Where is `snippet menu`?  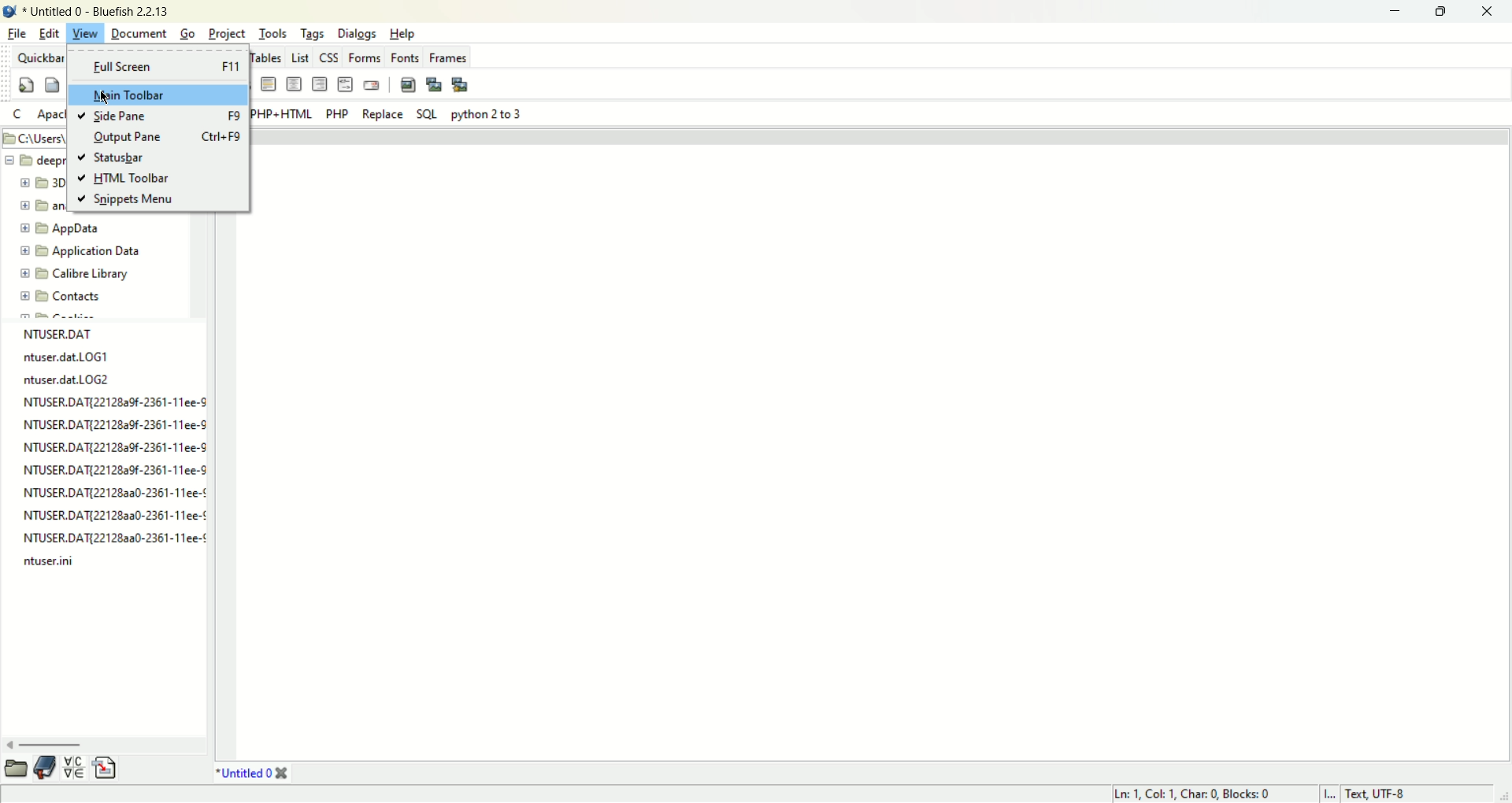 snippet menu is located at coordinates (127, 201).